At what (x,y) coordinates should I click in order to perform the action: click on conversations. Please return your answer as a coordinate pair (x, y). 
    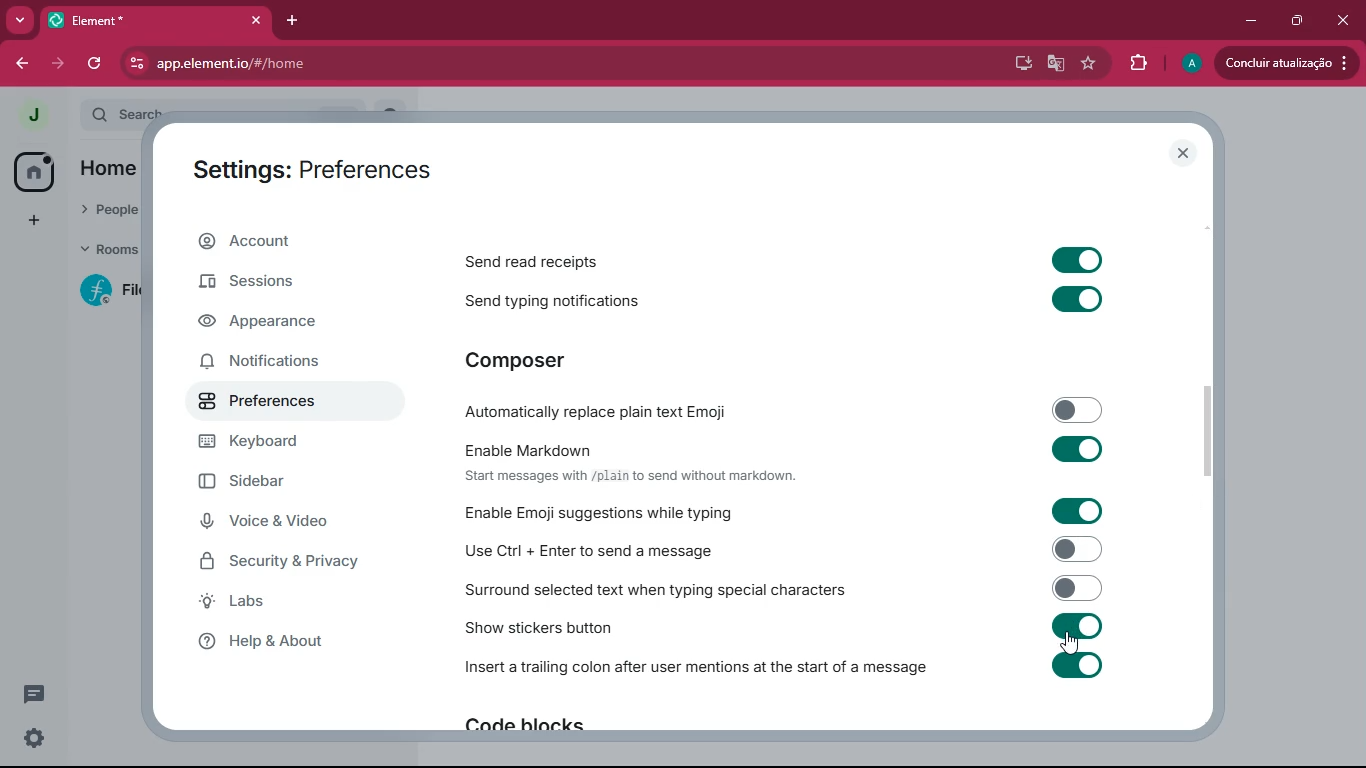
    Looking at the image, I should click on (31, 694).